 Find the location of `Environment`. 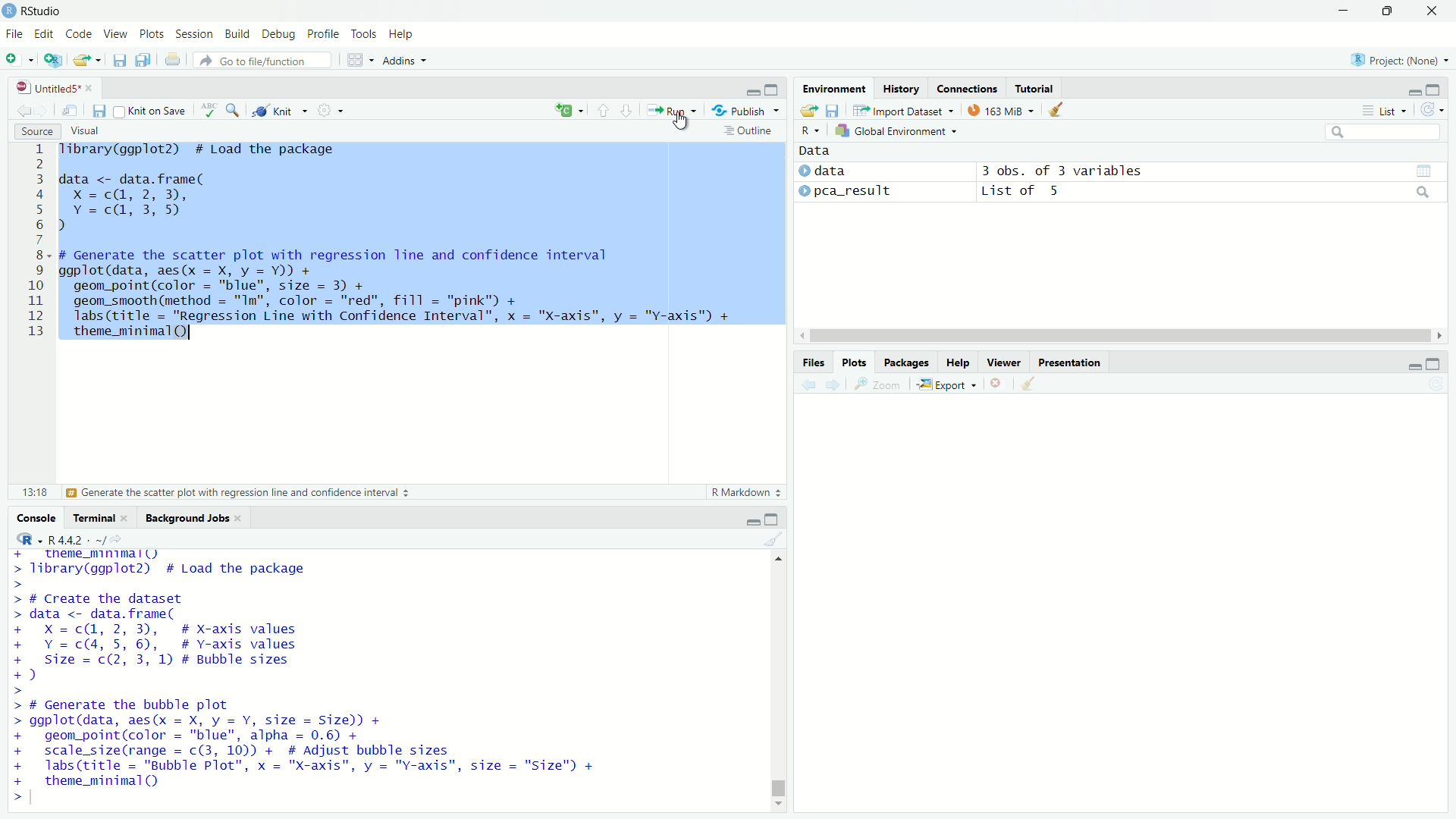

Environment is located at coordinates (834, 87).